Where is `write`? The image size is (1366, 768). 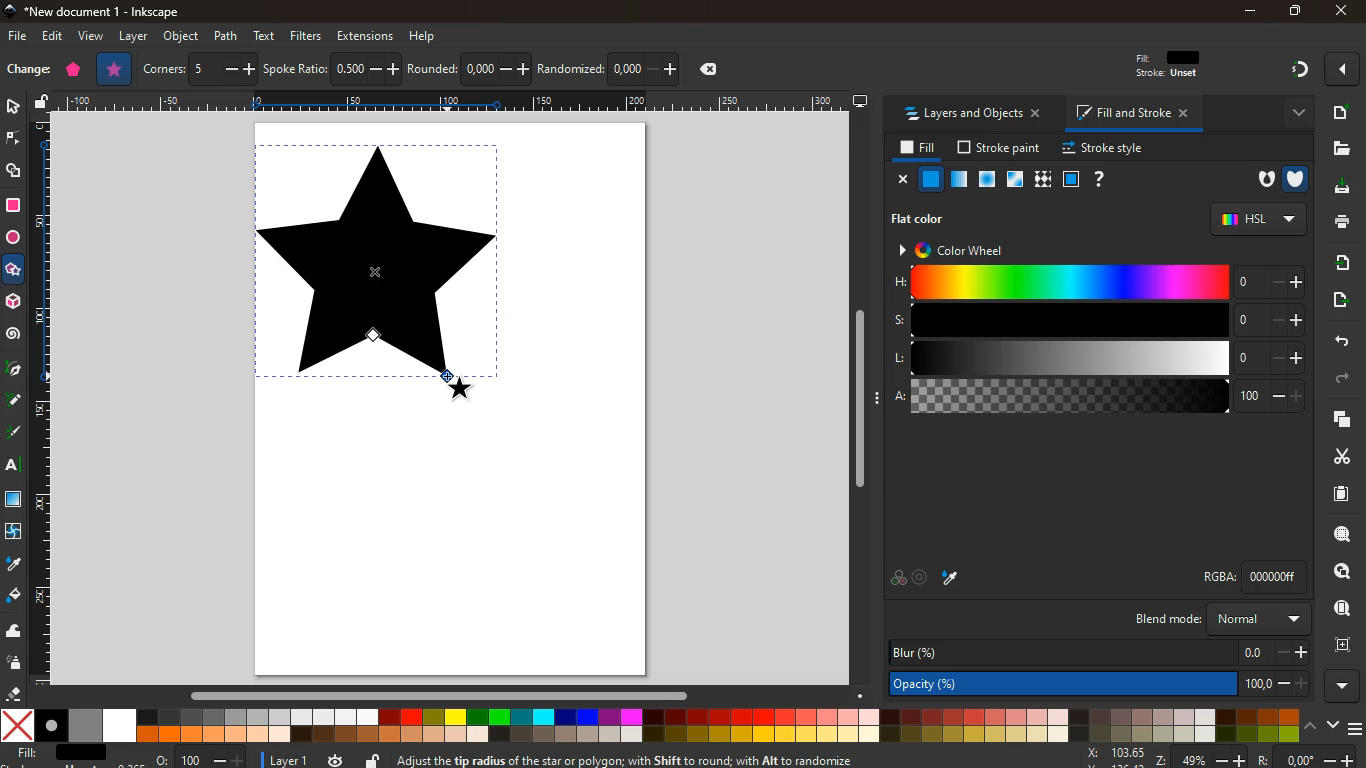 write is located at coordinates (14, 430).